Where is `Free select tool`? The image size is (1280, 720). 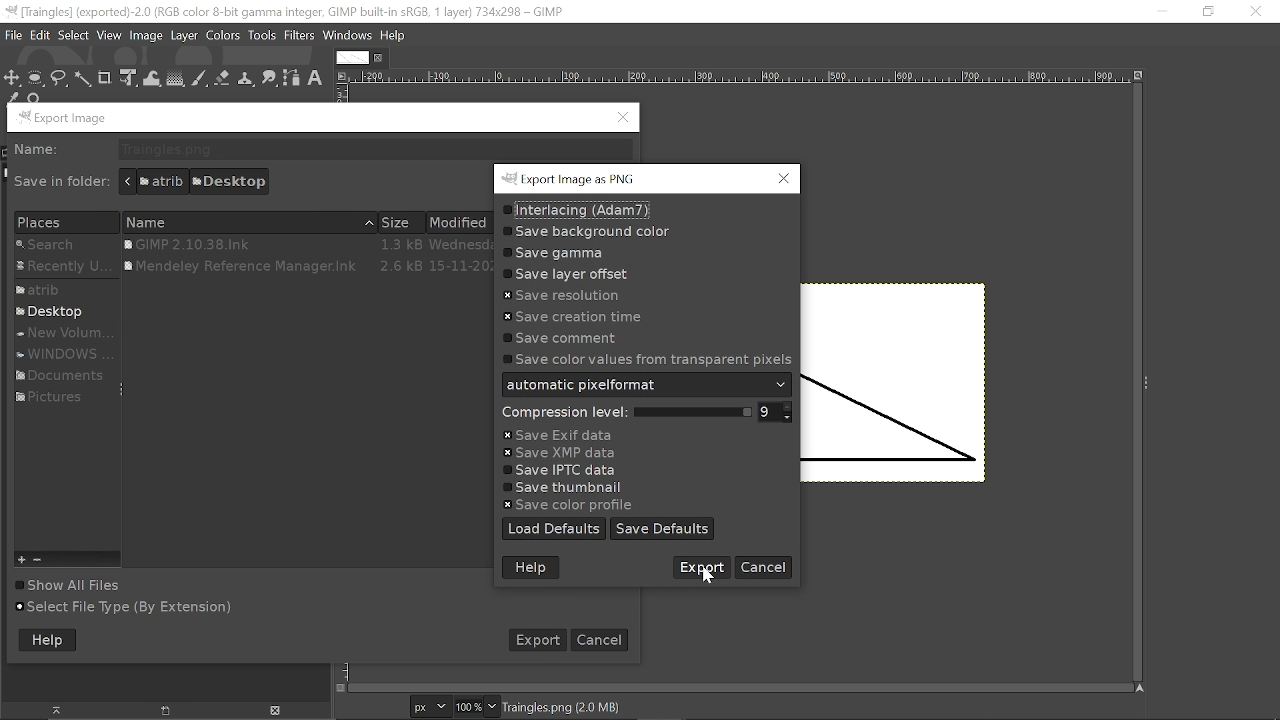 Free select tool is located at coordinates (59, 79).